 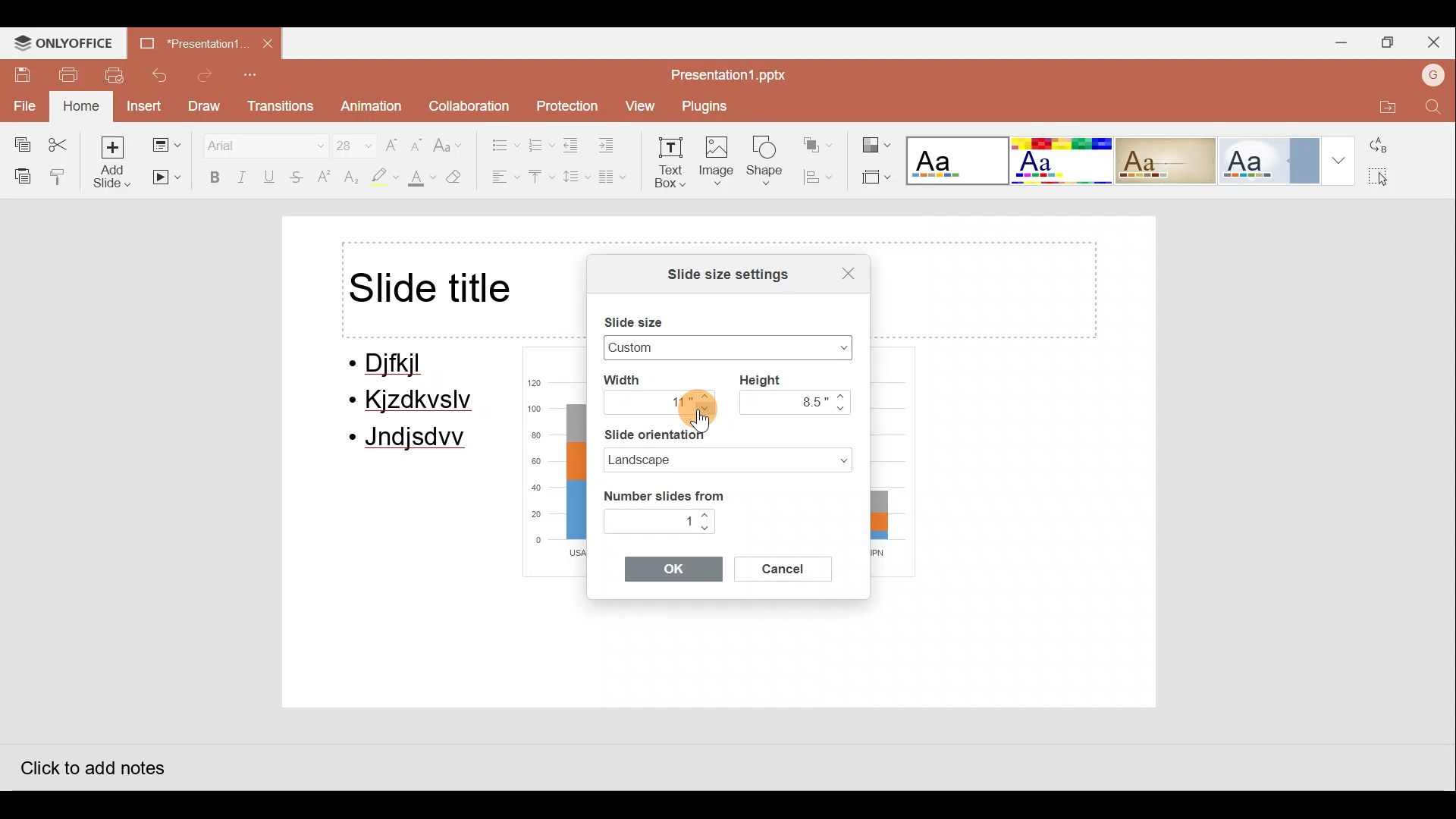 What do you see at coordinates (206, 106) in the screenshot?
I see `Draw` at bounding box center [206, 106].